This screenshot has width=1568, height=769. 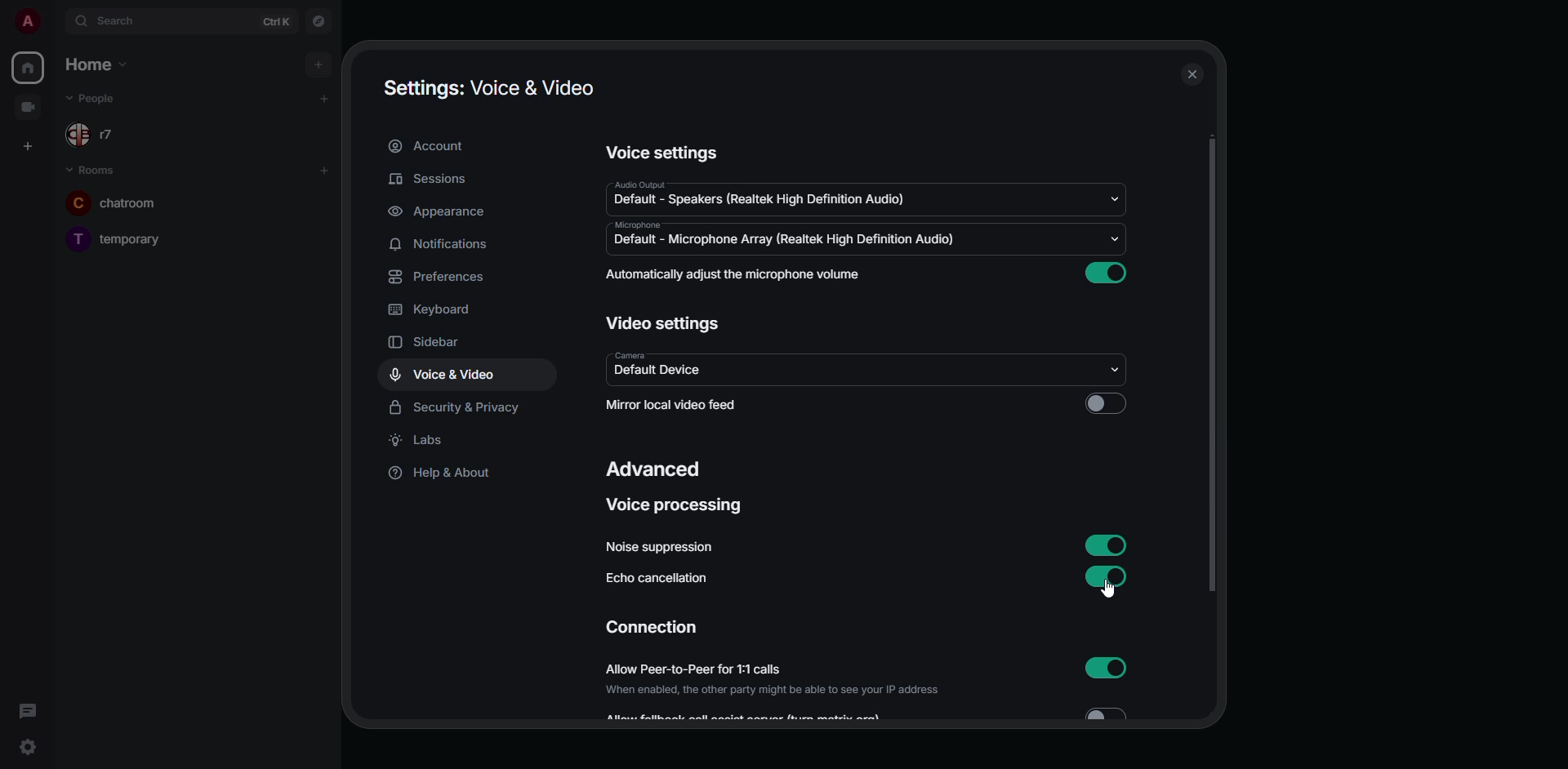 I want to click on settings voice & video, so click(x=490, y=87).